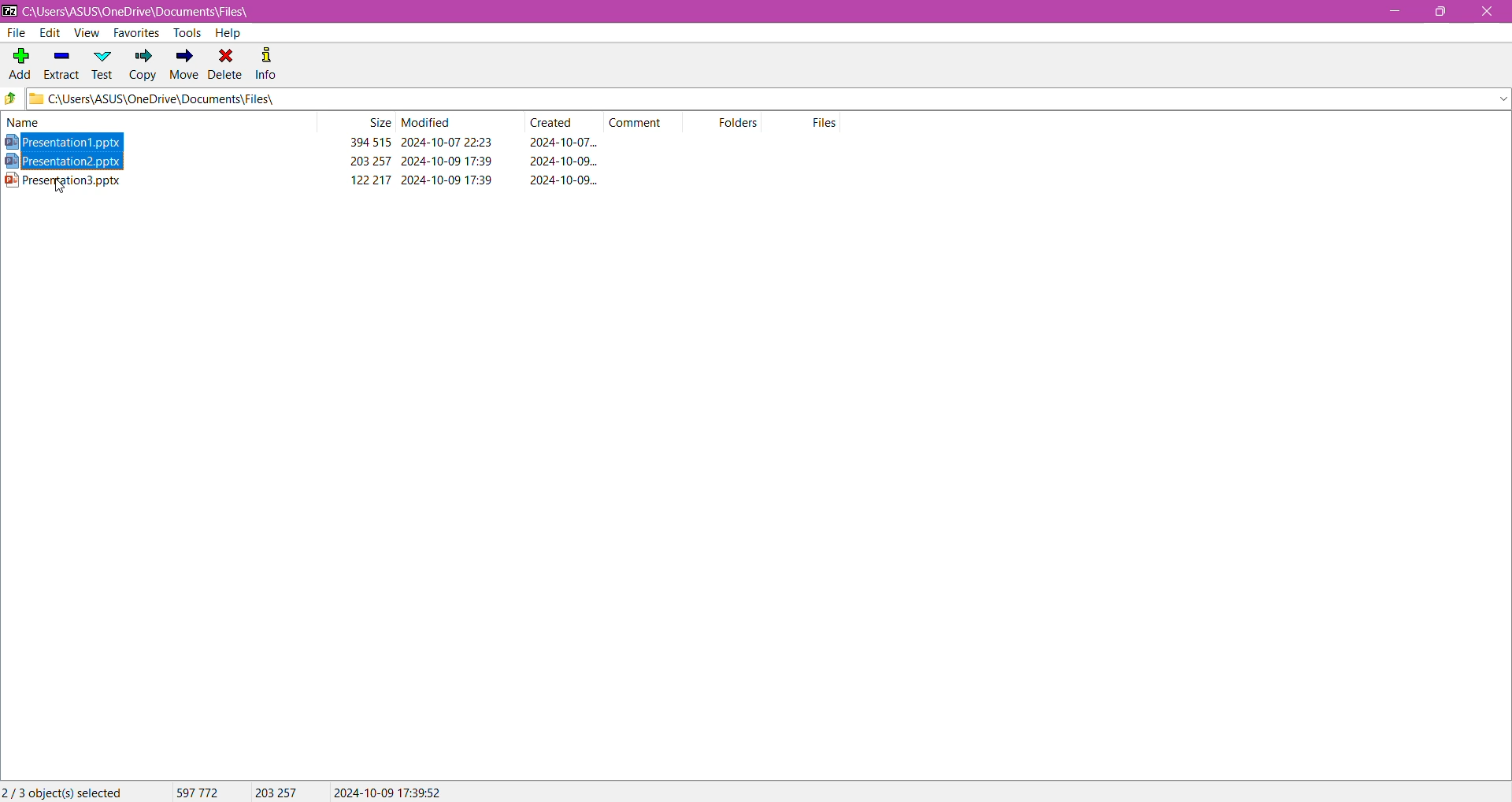 The height and width of the screenshot is (802, 1512). Describe the element at coordinates (1487, 13) in the screenshot. I see `Close` at that location.